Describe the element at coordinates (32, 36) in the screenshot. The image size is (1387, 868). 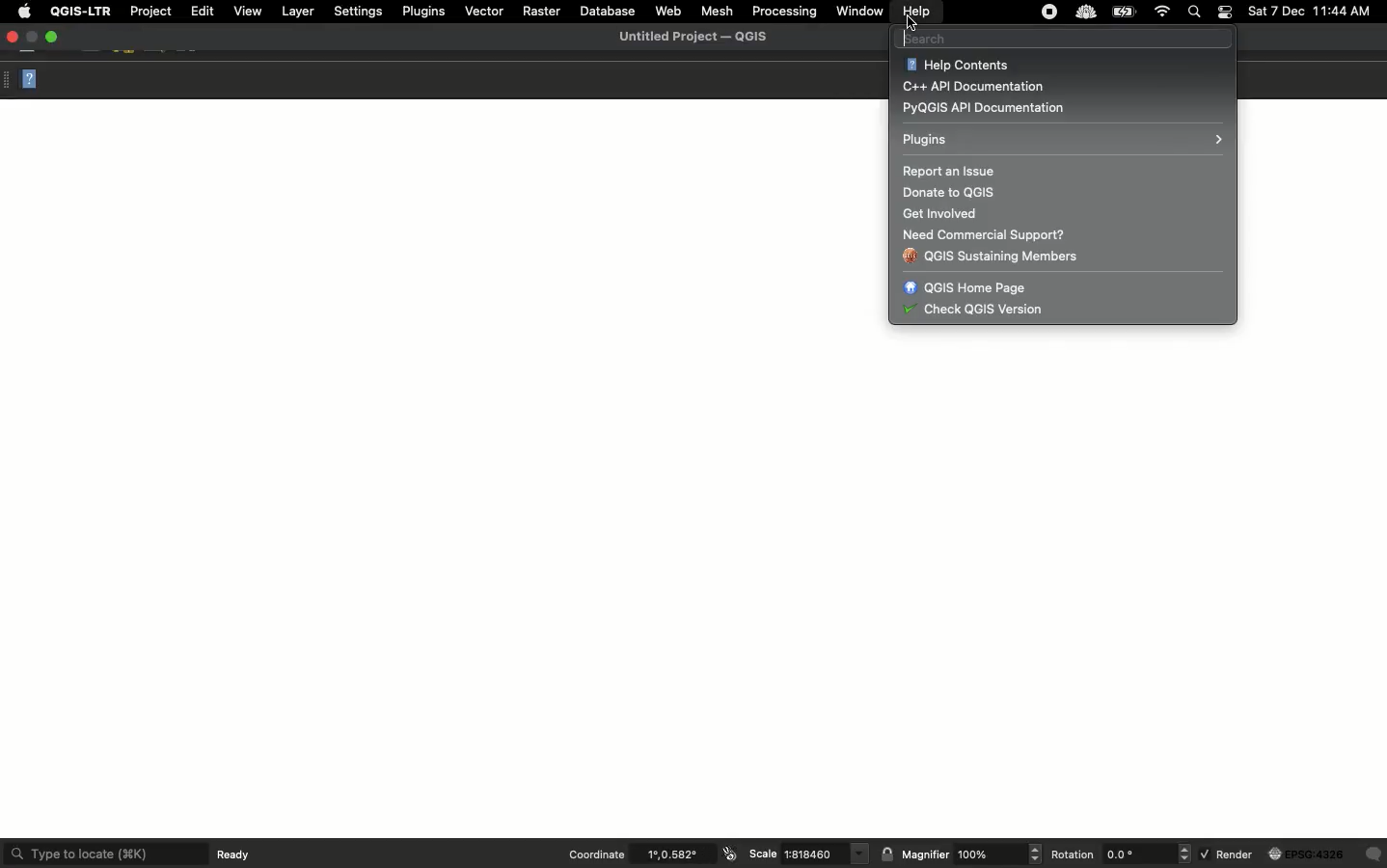
I see `Restore` at that location.